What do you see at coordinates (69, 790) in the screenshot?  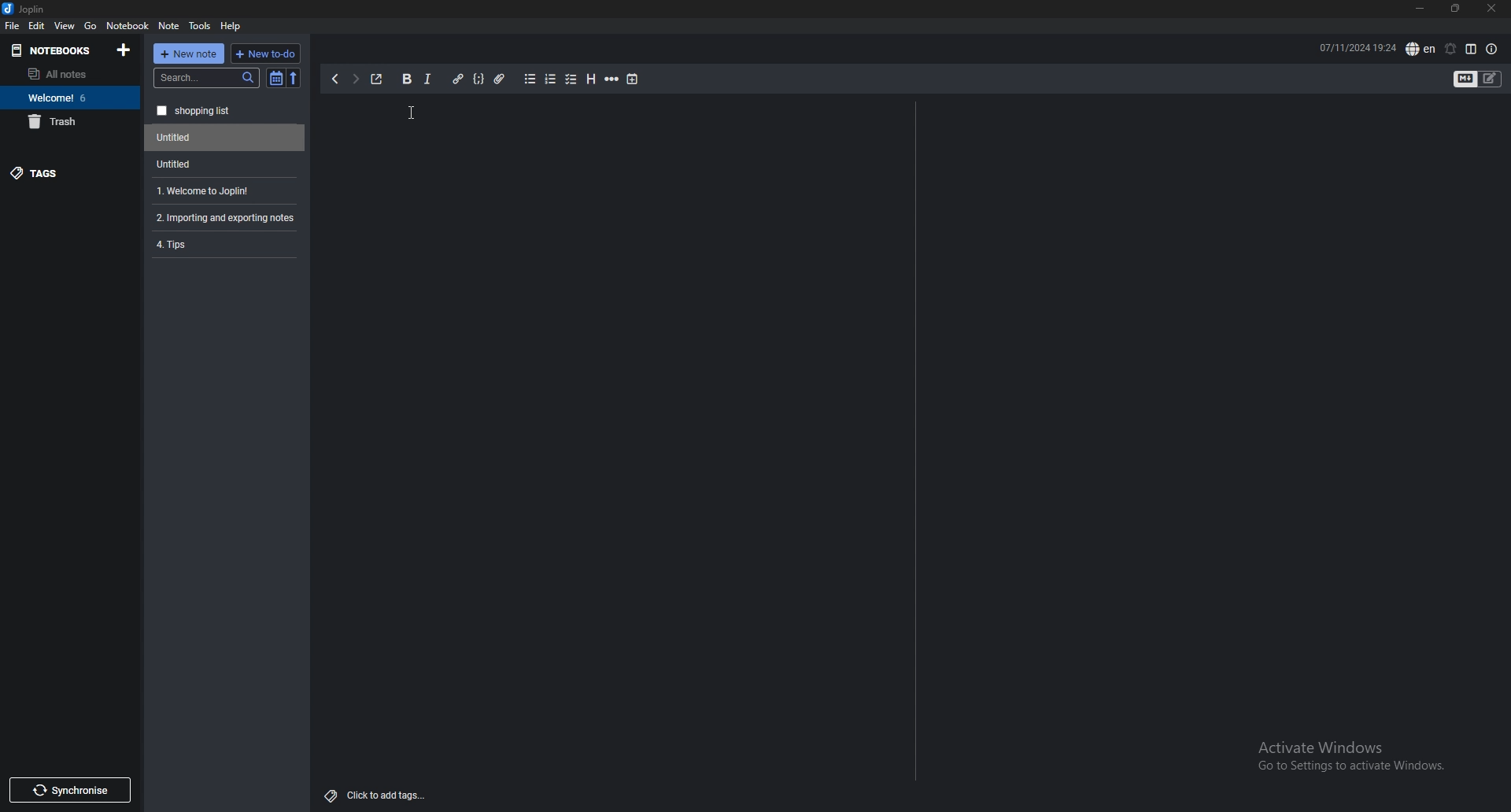 I see `Synchronise` at bounding box center [69, 790].